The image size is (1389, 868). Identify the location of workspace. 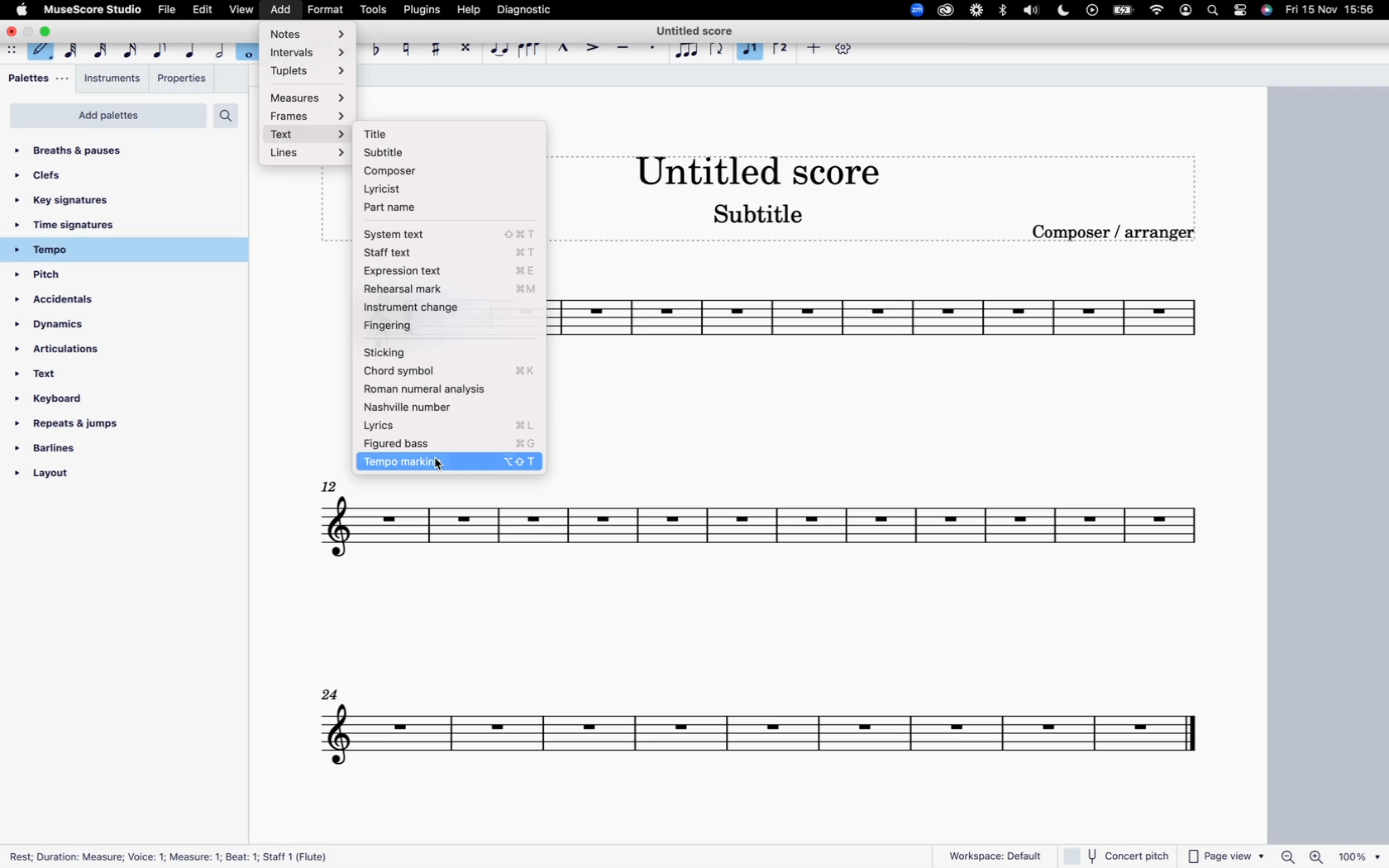
(987, 851).